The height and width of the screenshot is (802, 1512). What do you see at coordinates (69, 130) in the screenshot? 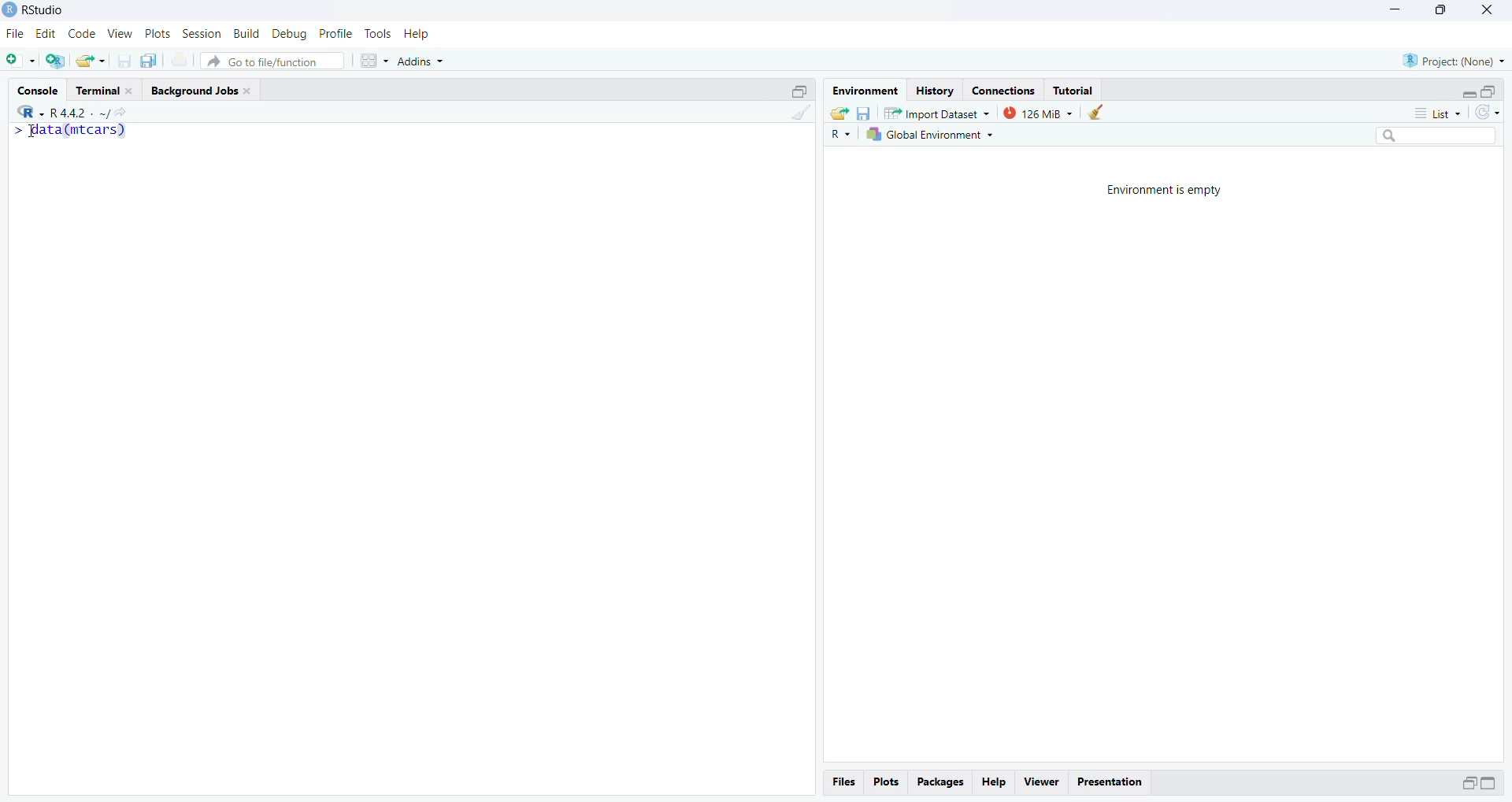
I see `data(mtcars)` at bounding box center [69, 130].